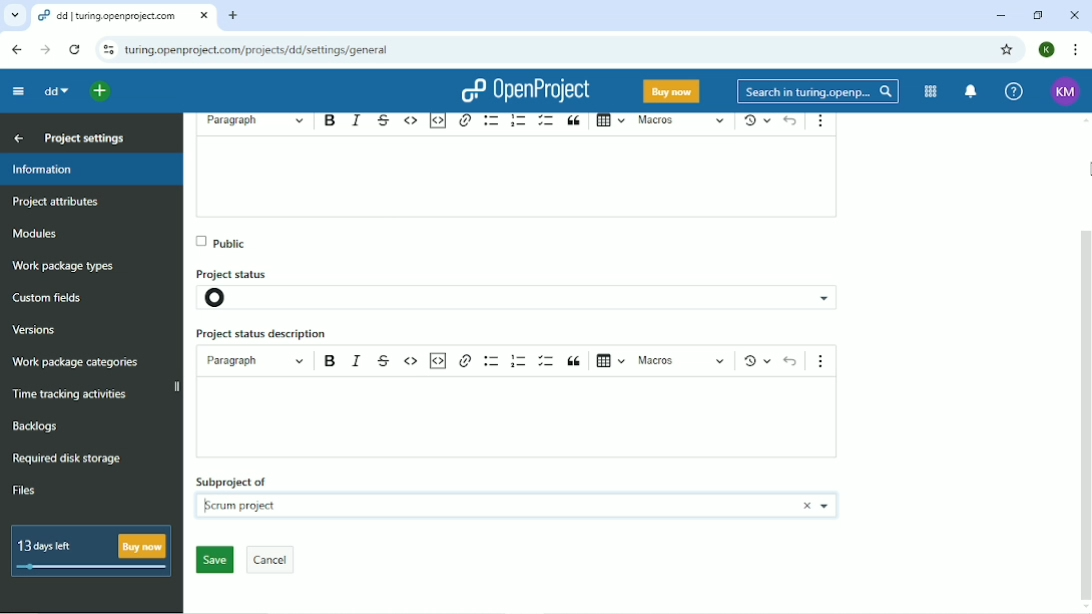  I want to click on OpenProject, so click(526, 89).